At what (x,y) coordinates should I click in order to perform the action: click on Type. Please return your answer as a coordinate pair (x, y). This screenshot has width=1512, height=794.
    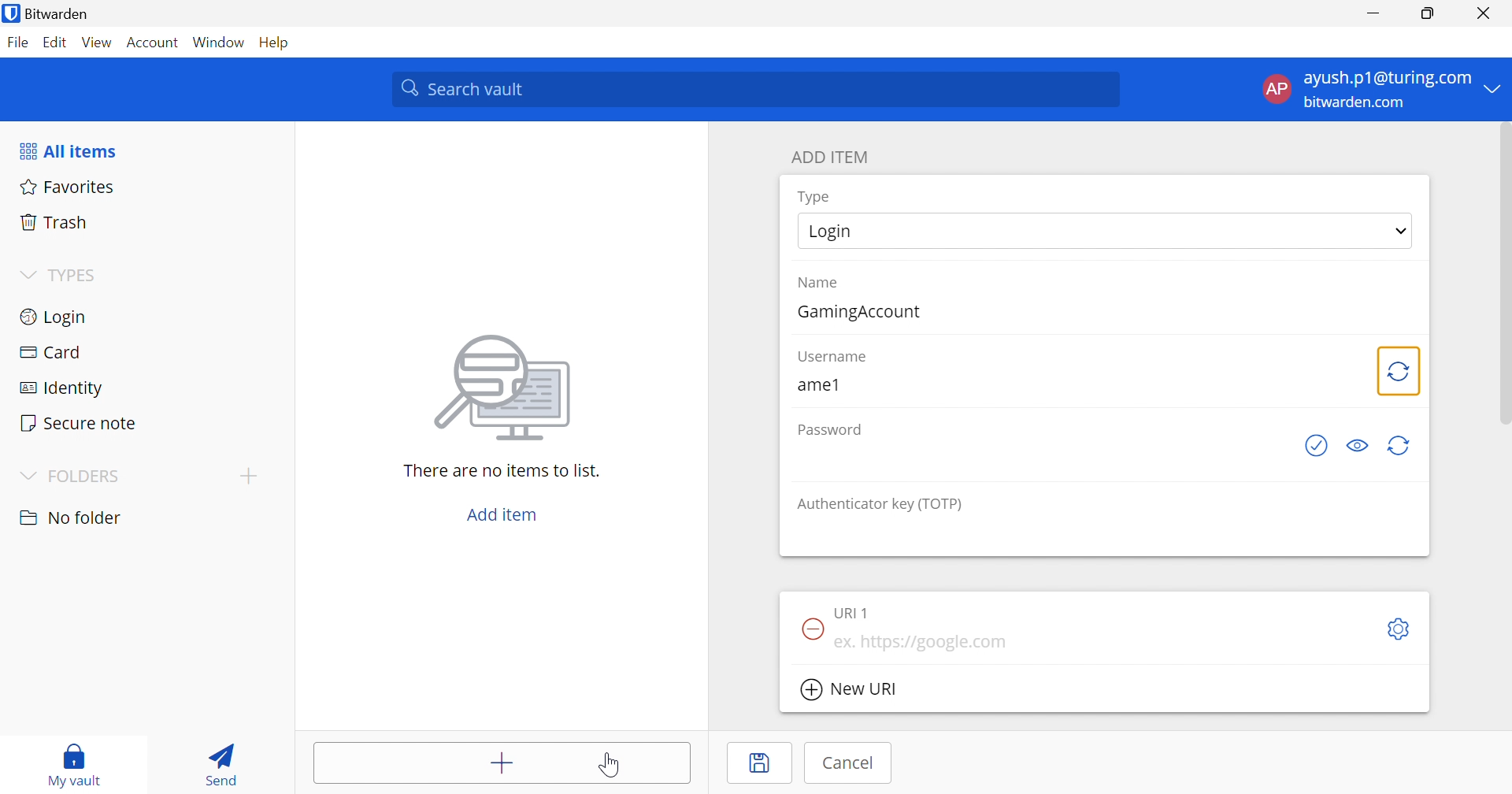
    Looking at the image, I should click on (819, 196).